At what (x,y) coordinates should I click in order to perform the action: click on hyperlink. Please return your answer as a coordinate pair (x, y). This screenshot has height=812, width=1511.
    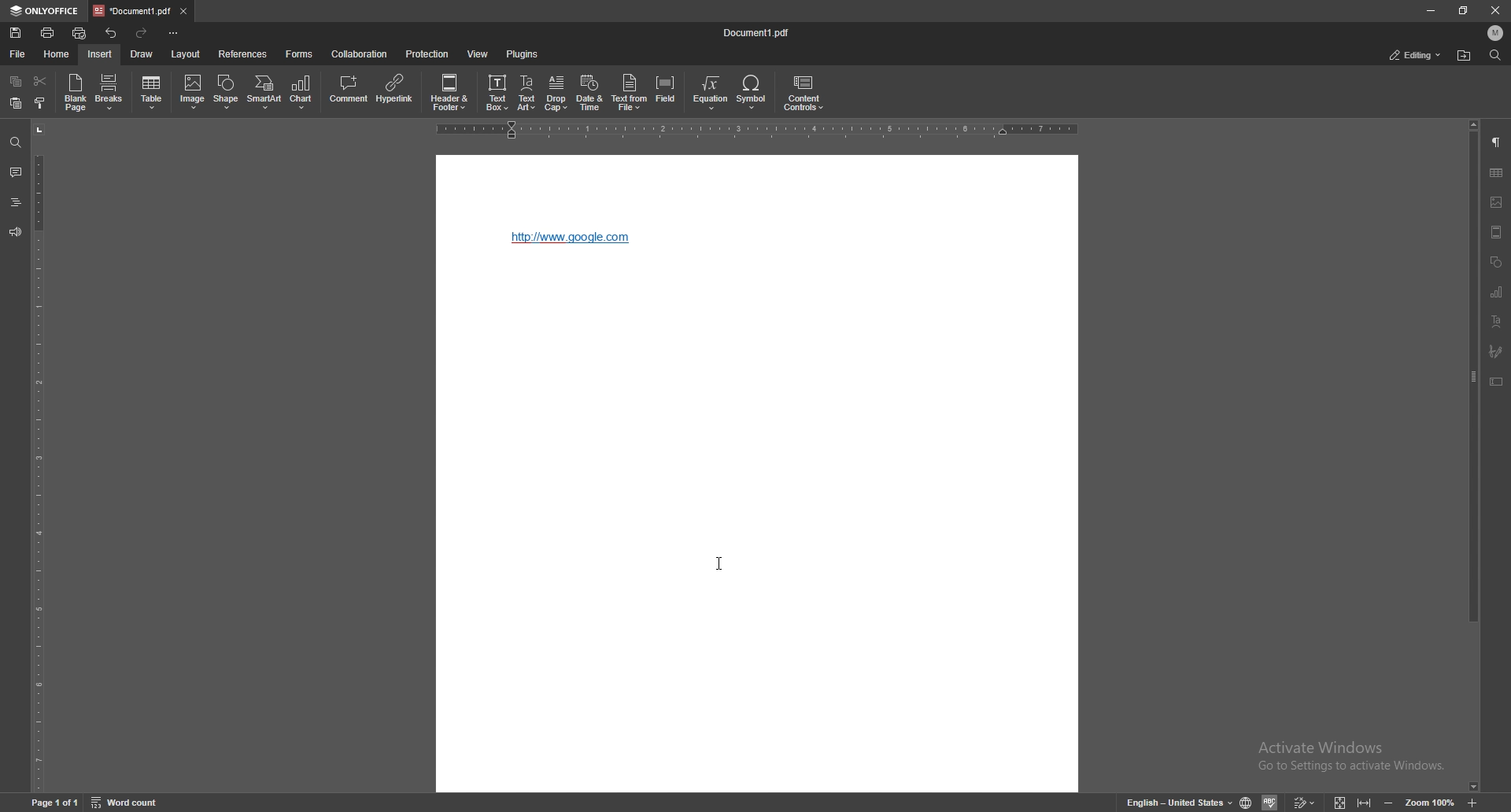
    Looking at the image, I should click on (574, 238).